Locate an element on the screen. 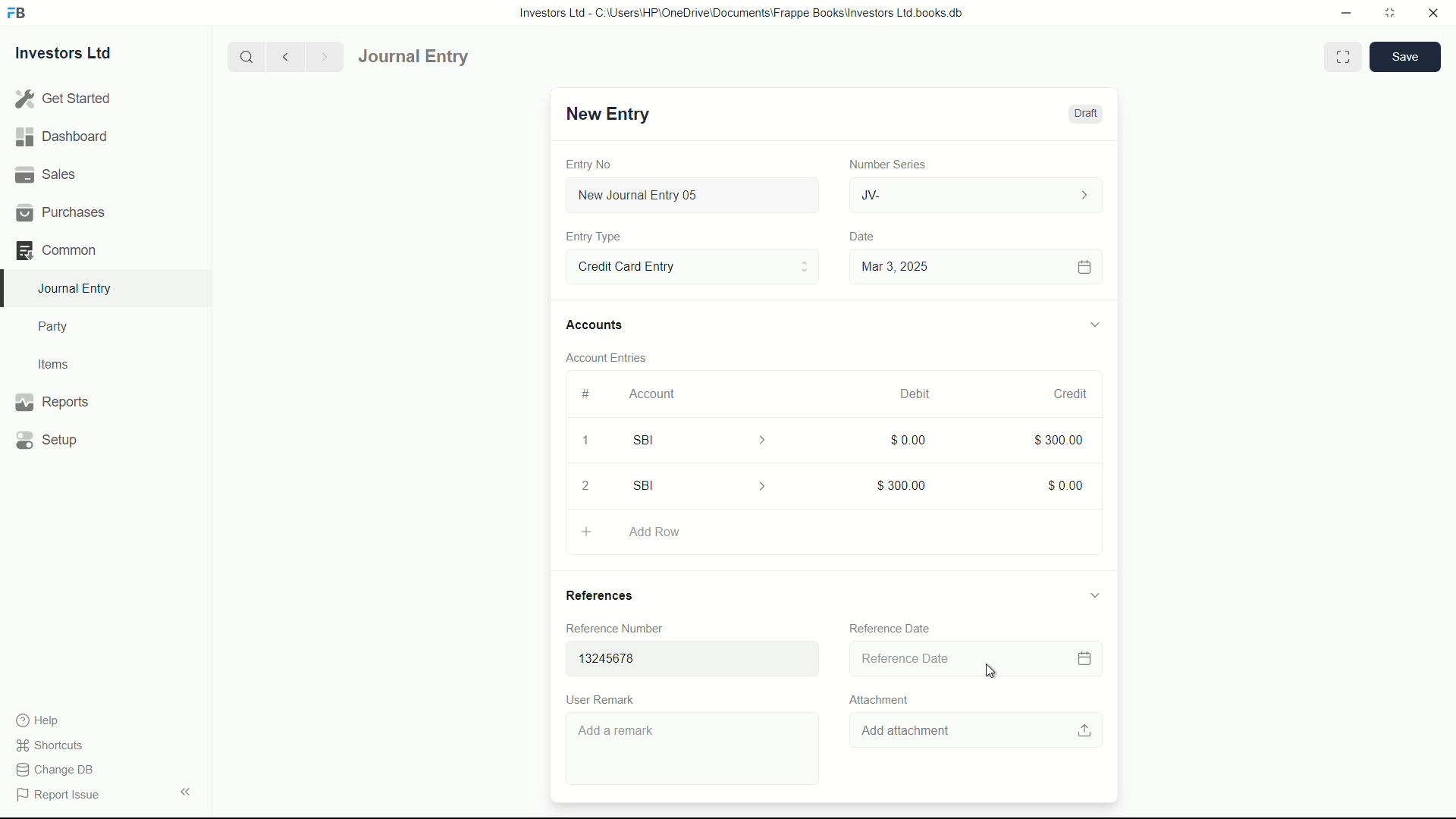 Image resolution: width=1456 pixels, height=819 pixels. SBI is located at coordinates (710, 439).